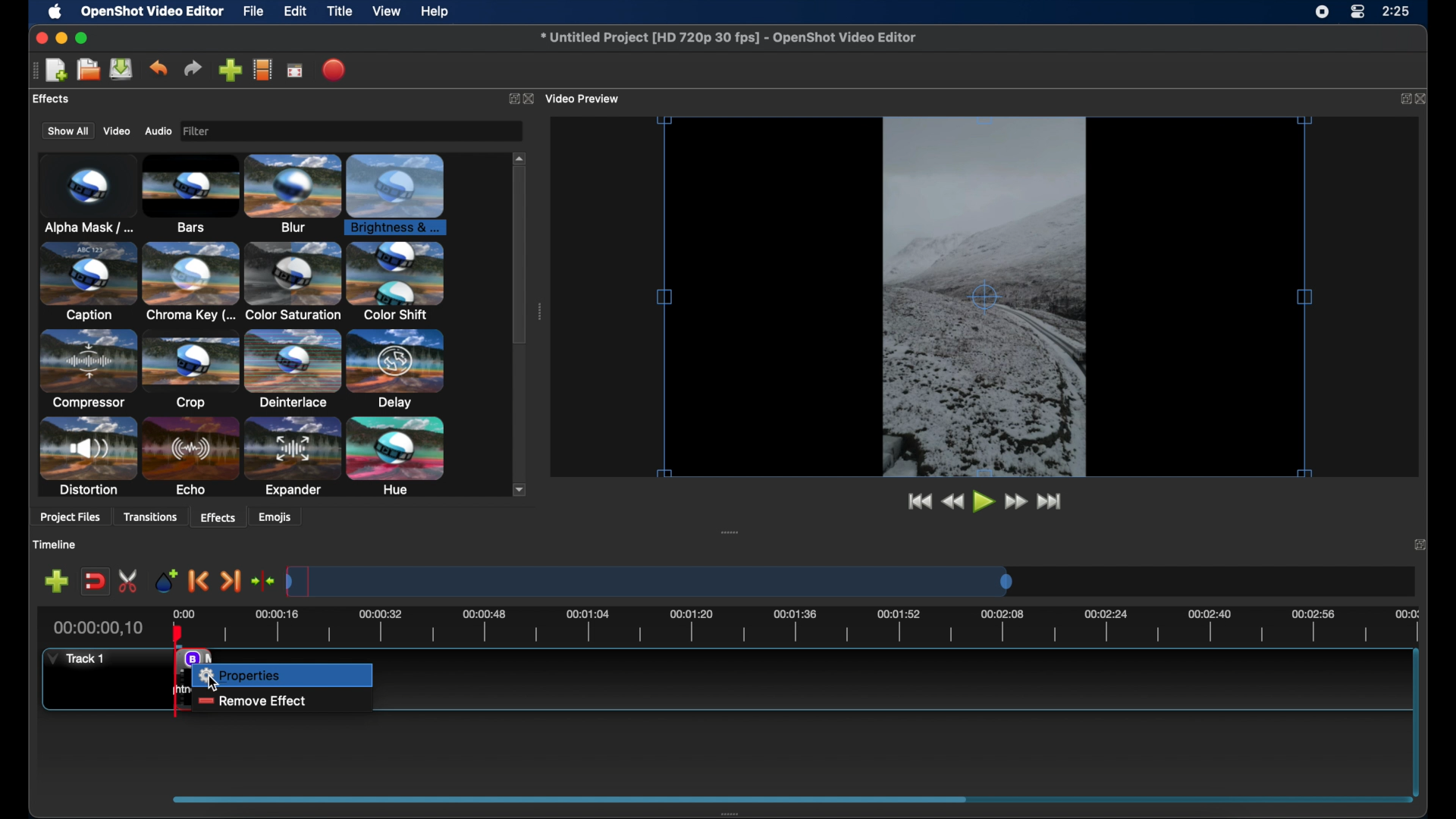  I want to click on effects, so click(51, 99).